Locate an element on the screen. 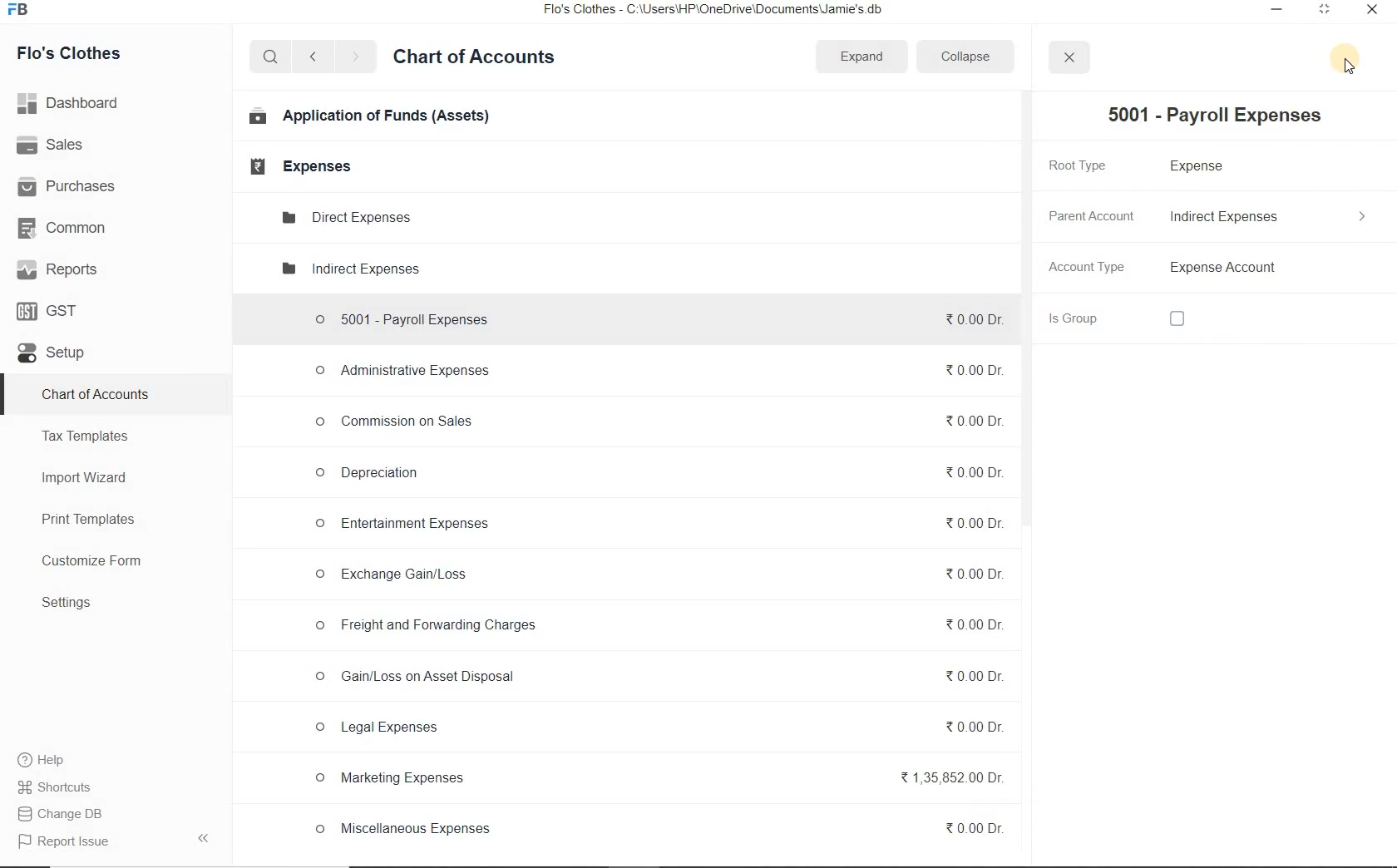 This screenshot has height=868, width=1397. close is located at coordinates (1370, 13).